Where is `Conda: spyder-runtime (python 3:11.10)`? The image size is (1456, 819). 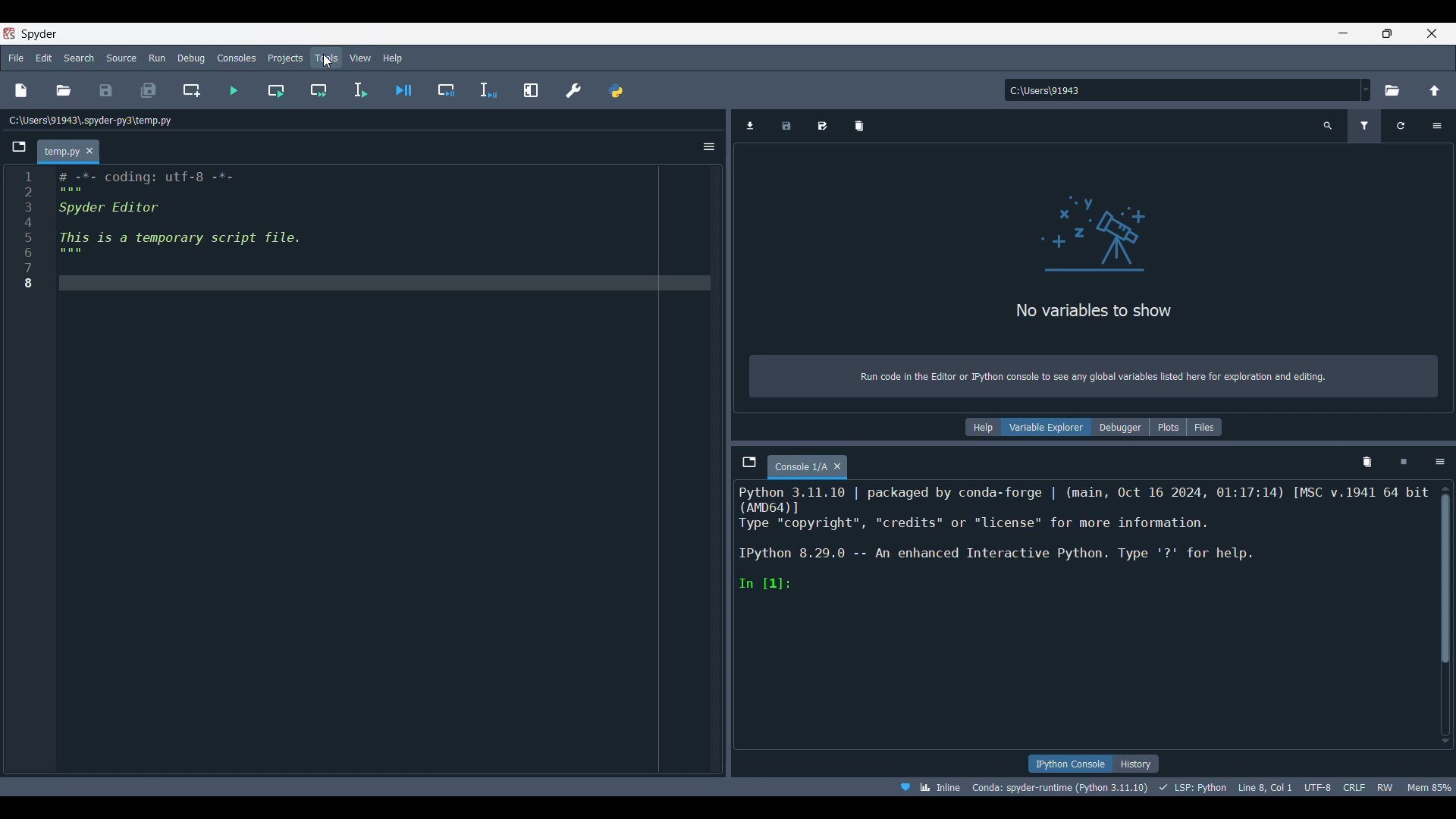 Conda: spyder-runtime (python 3:11.10) is located at coordinates (1059, 786).